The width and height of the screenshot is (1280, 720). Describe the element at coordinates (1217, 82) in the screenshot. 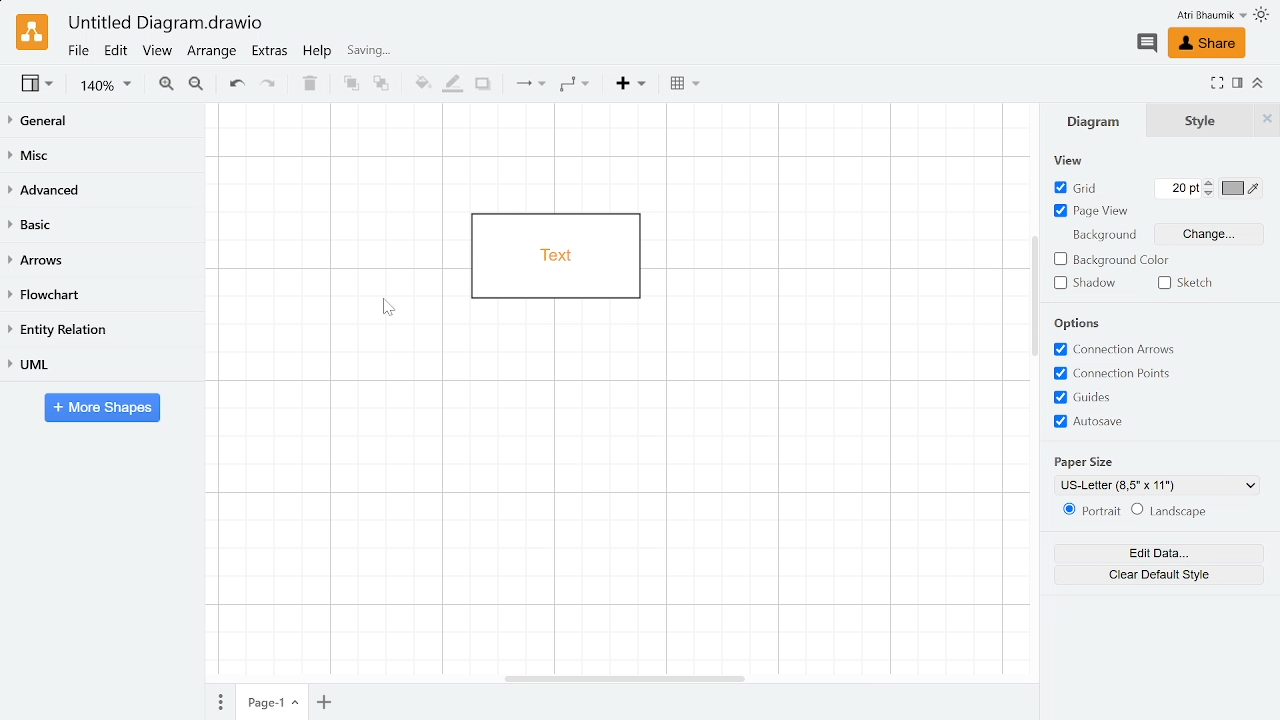

I see `Expand` at that location.